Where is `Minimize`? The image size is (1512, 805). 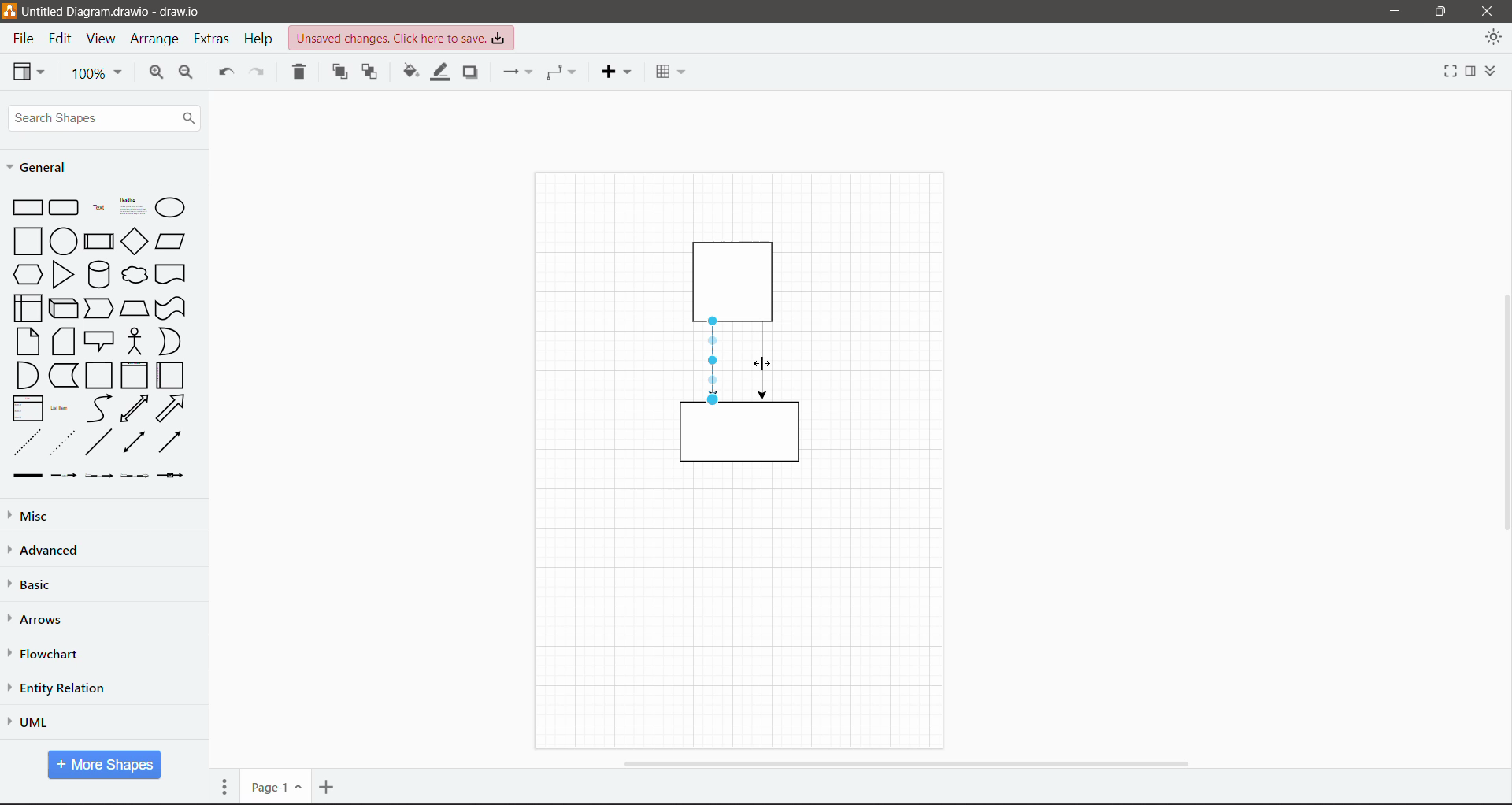 Minimize is located at coordinates (1391, 12).